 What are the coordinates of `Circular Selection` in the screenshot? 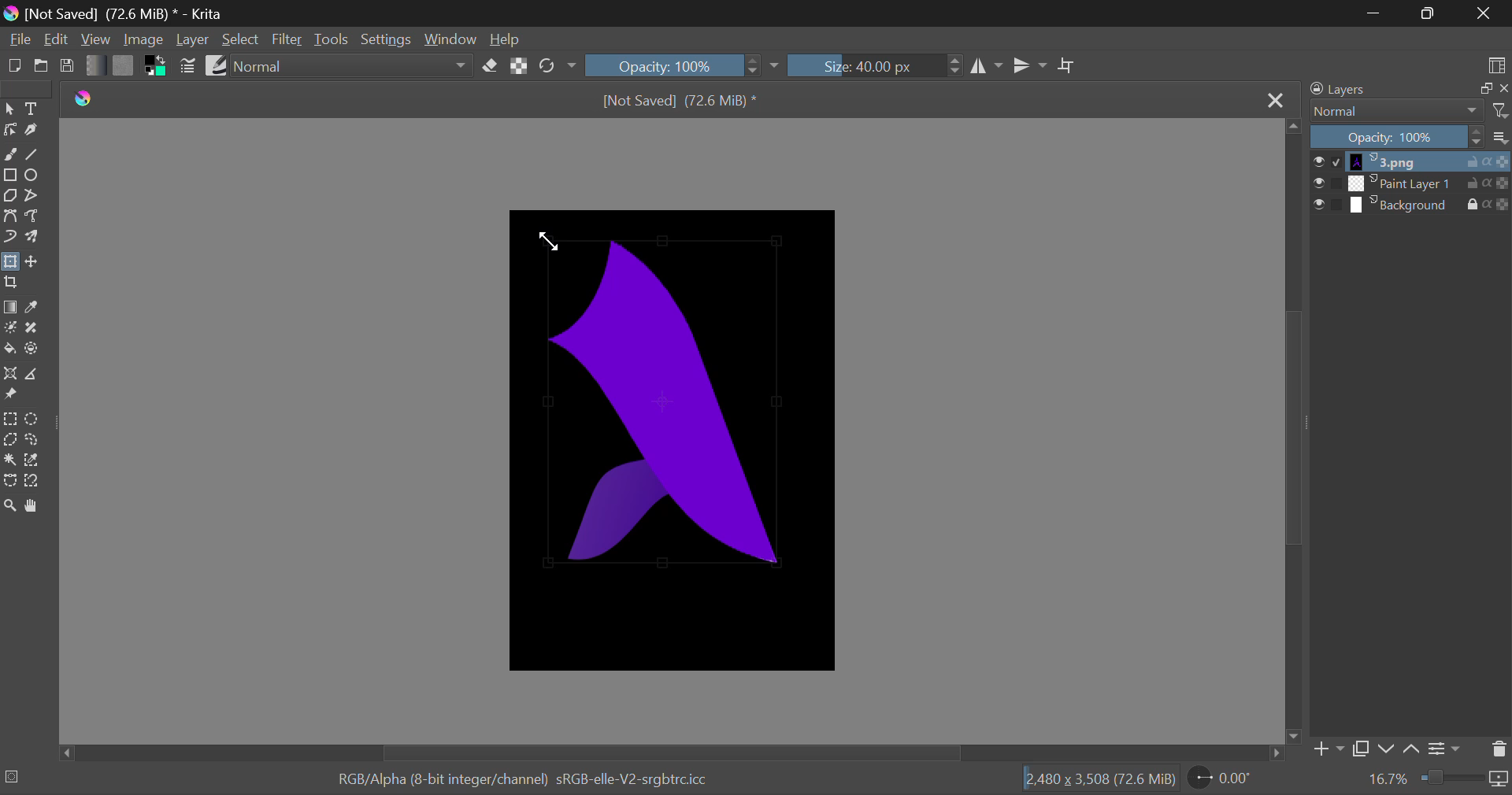 It's located at (33, 420).